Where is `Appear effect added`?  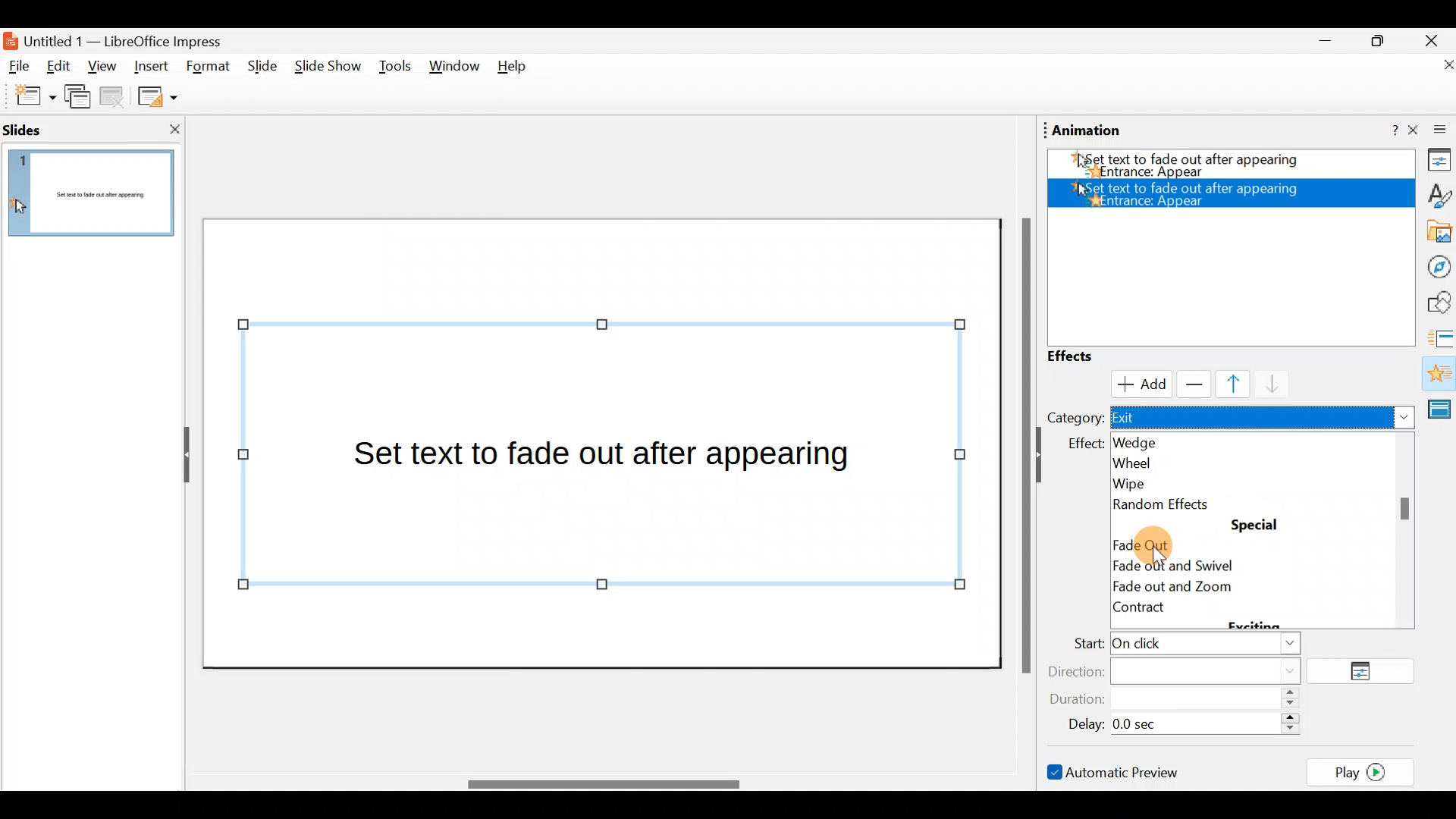 Appear effect added is located at coordinates (1225, 167).